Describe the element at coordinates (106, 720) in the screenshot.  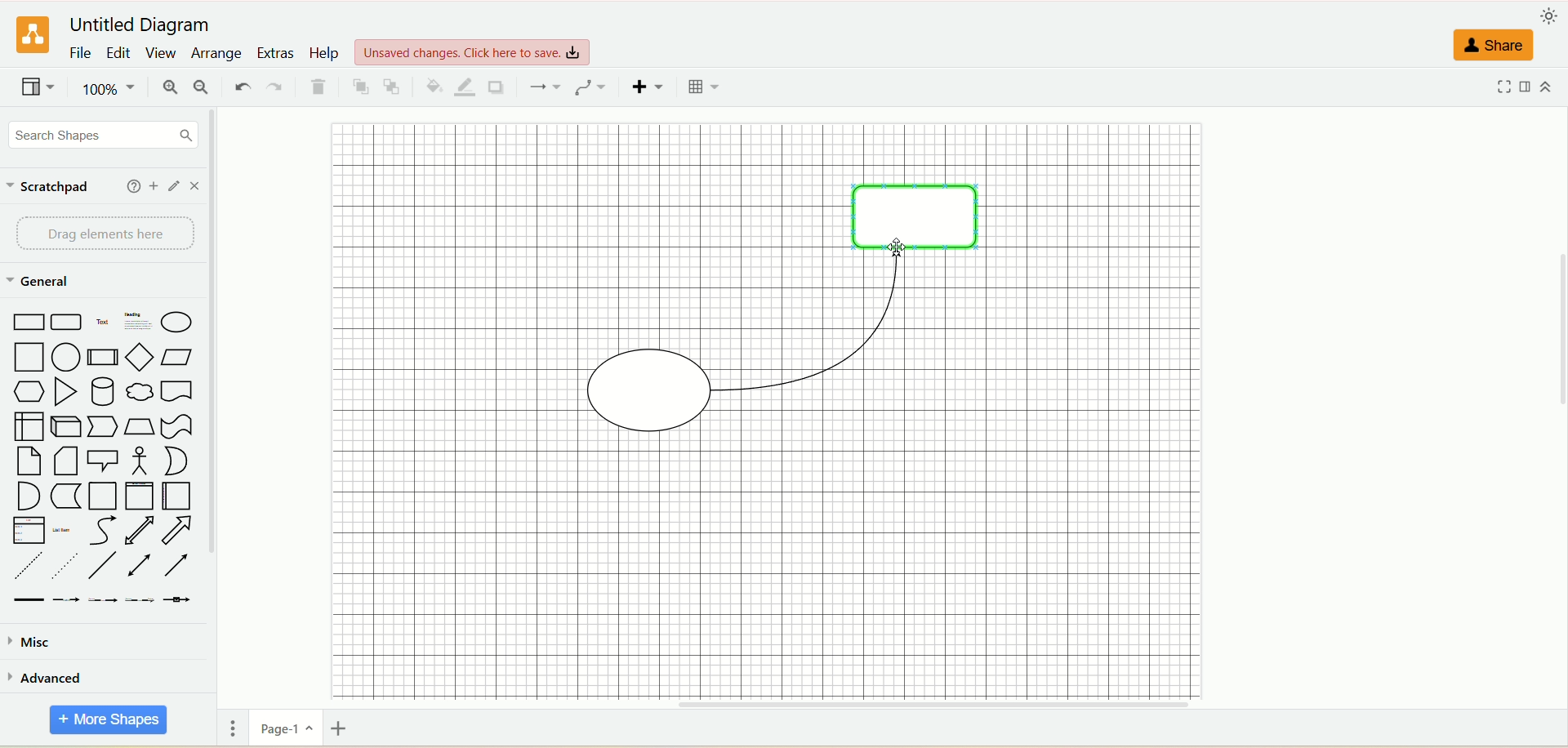
I see `more shapes` at that location.